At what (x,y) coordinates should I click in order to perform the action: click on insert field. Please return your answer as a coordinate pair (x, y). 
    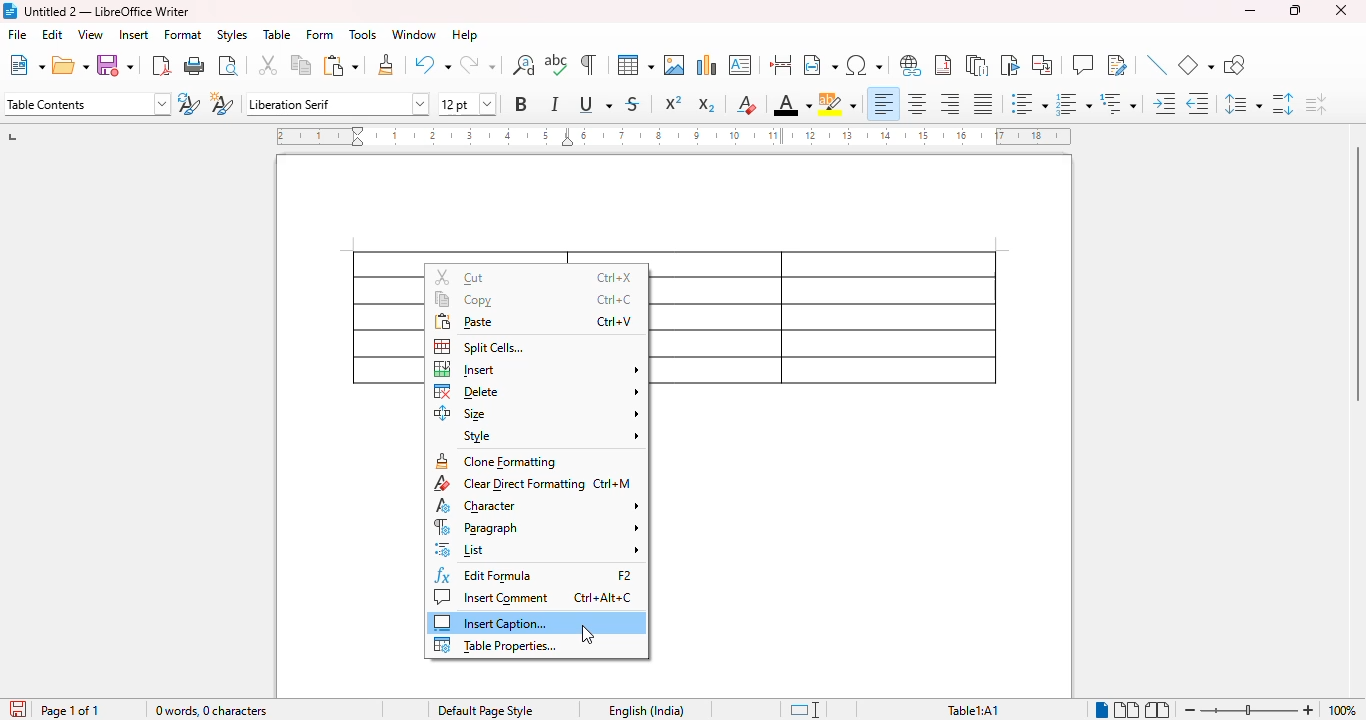
    Looking at the image, I should click on (821, 64).